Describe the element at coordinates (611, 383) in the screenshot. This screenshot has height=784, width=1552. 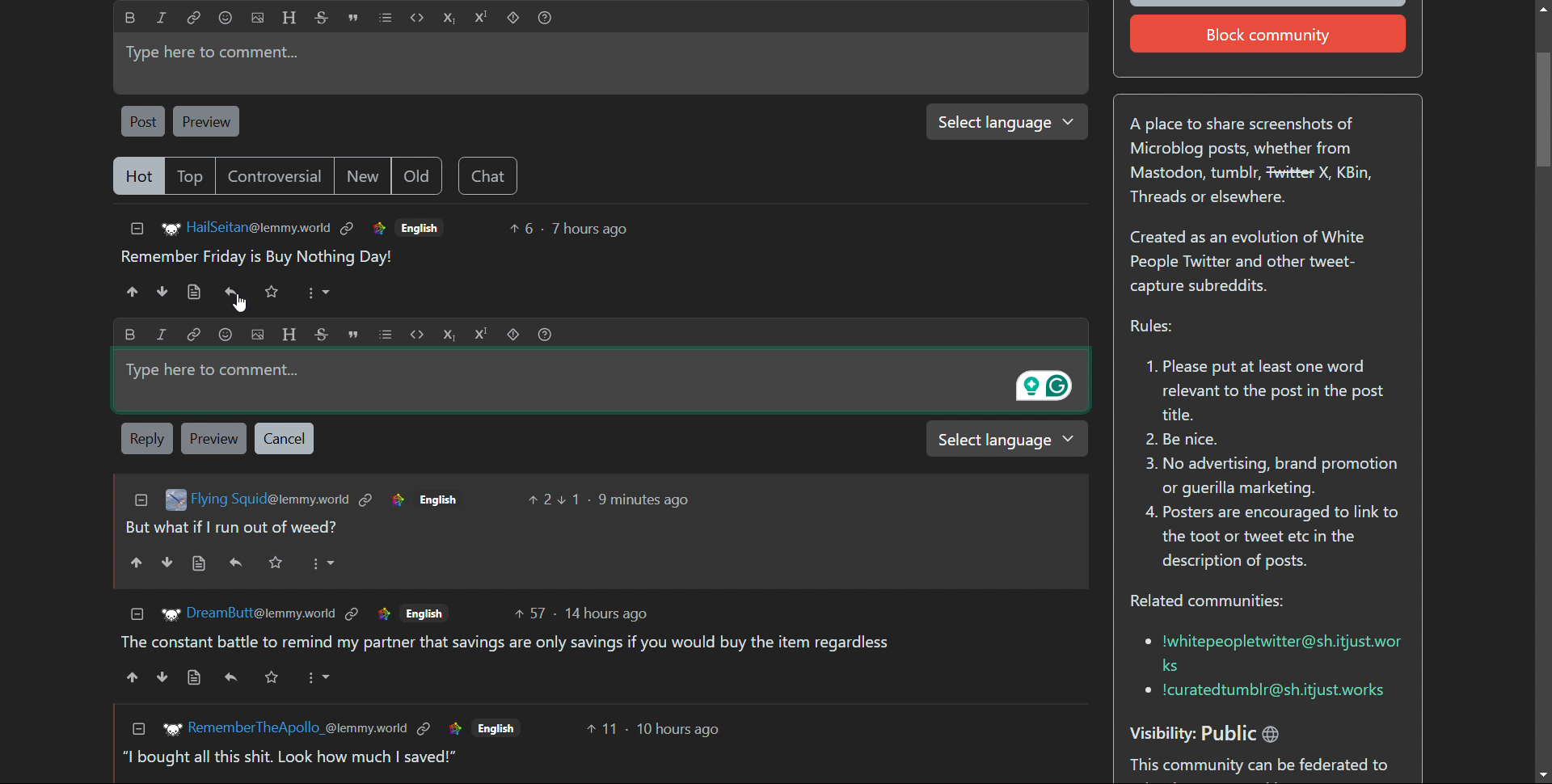
I see `Type here to comment` at that location.